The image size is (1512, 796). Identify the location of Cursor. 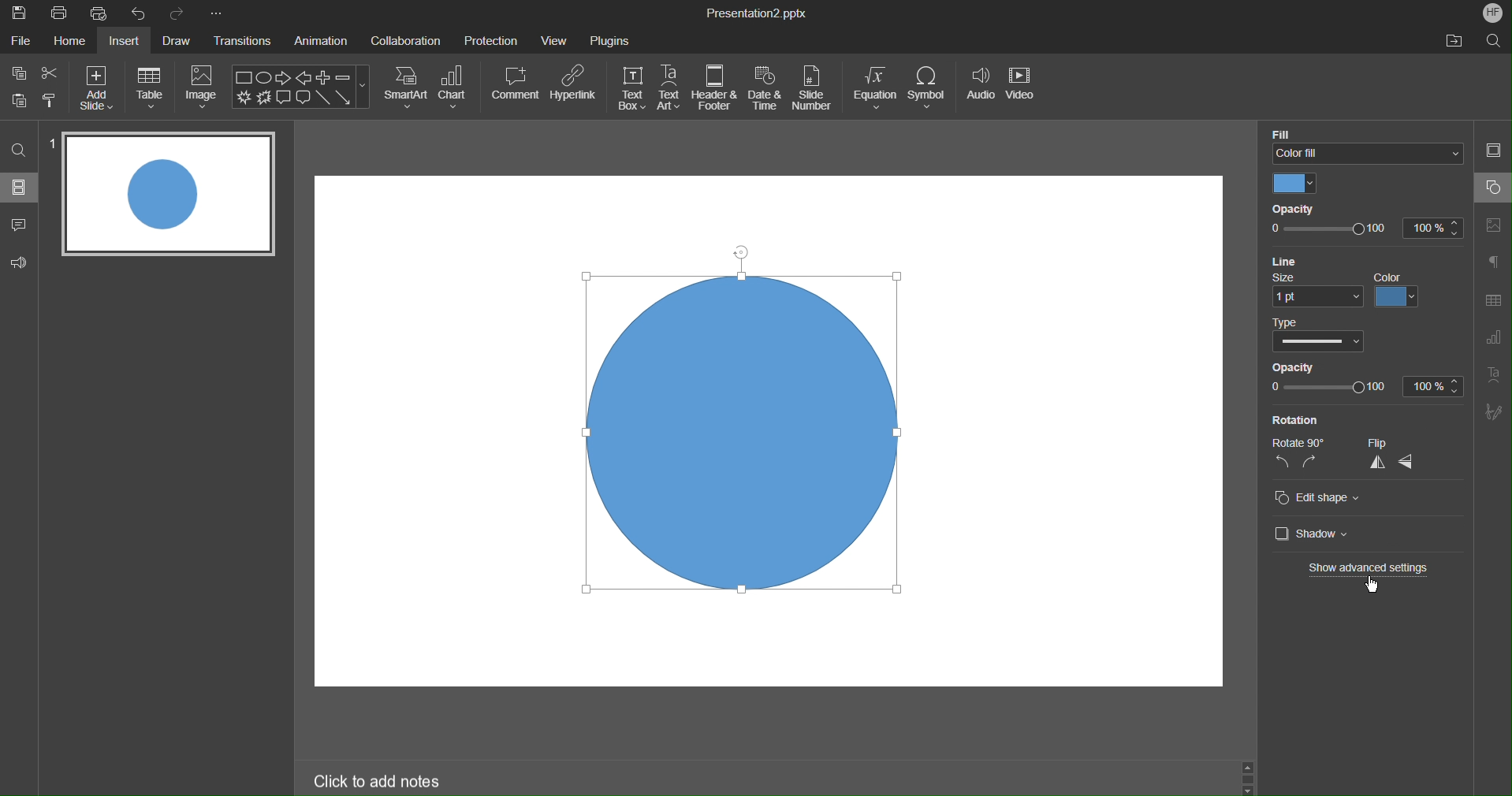
(1373, 585).